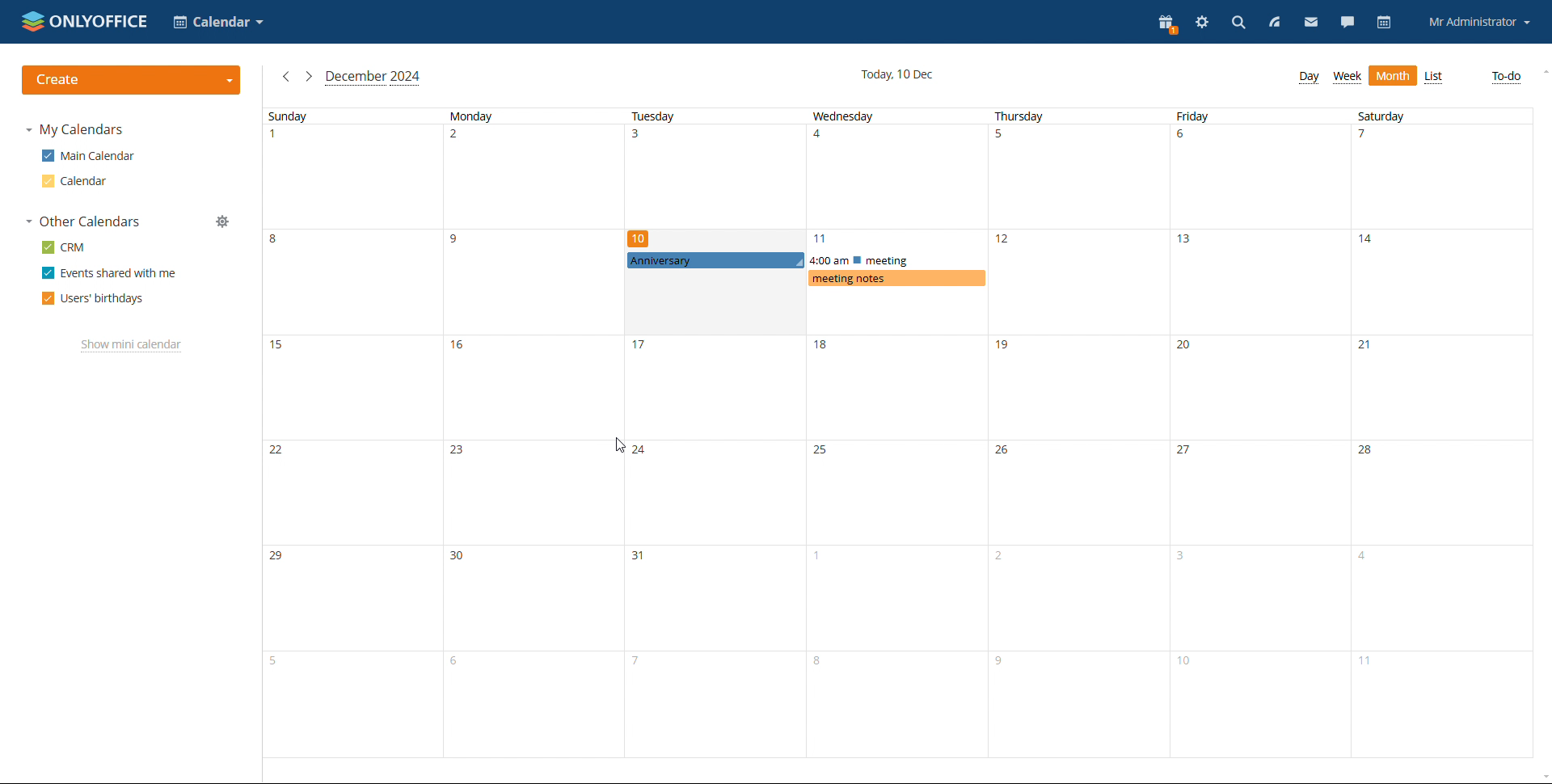 The width and height of the screenshot is (1552, 784). I want to click on month view, so click(1393, 75).